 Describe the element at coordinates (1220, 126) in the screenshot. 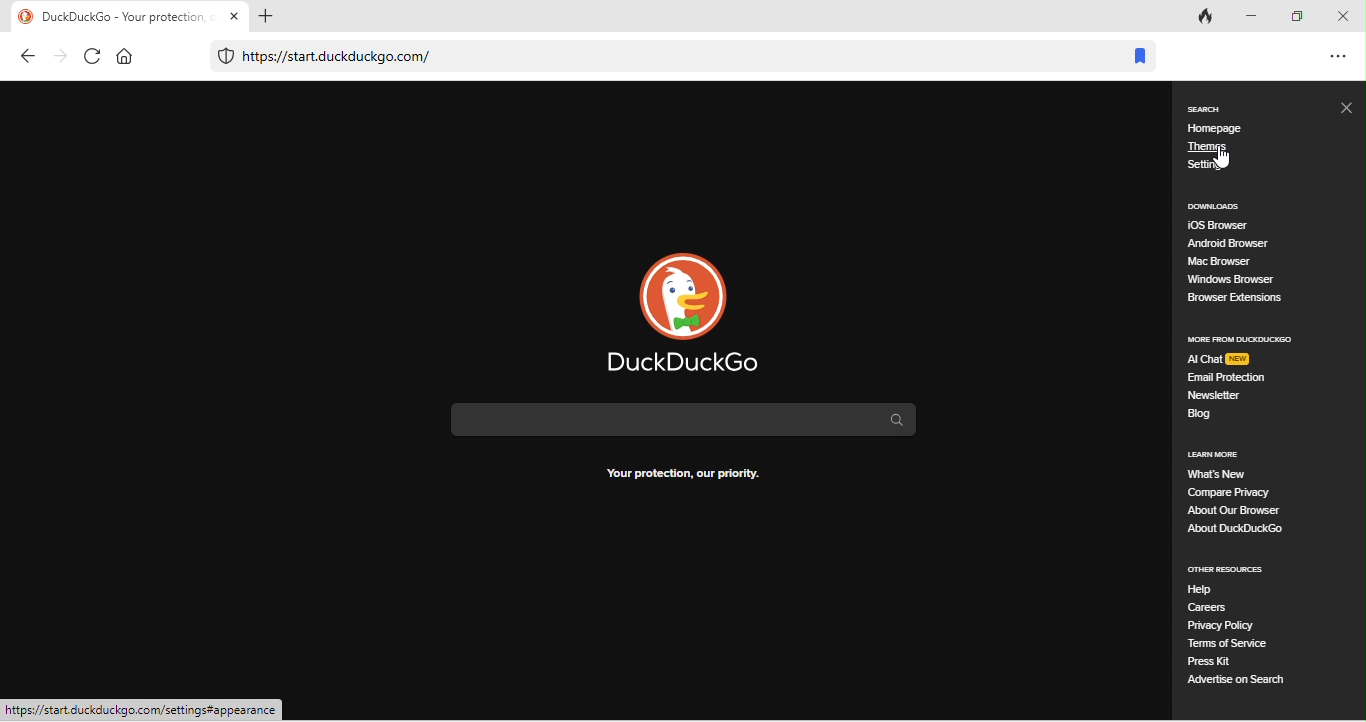

I see `homepage` at that location.